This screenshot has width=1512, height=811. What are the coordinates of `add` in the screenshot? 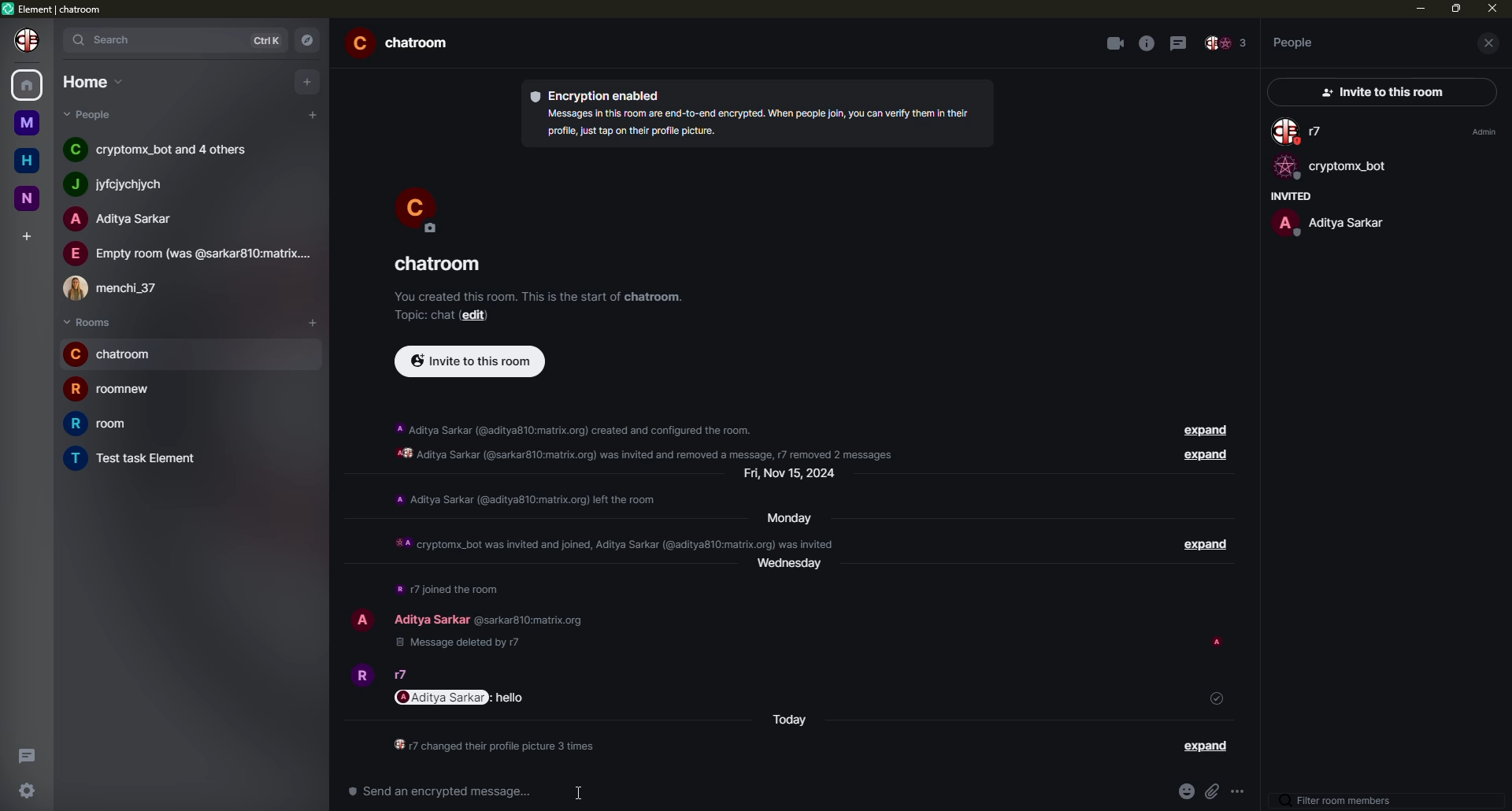 It's located at (28, 235).